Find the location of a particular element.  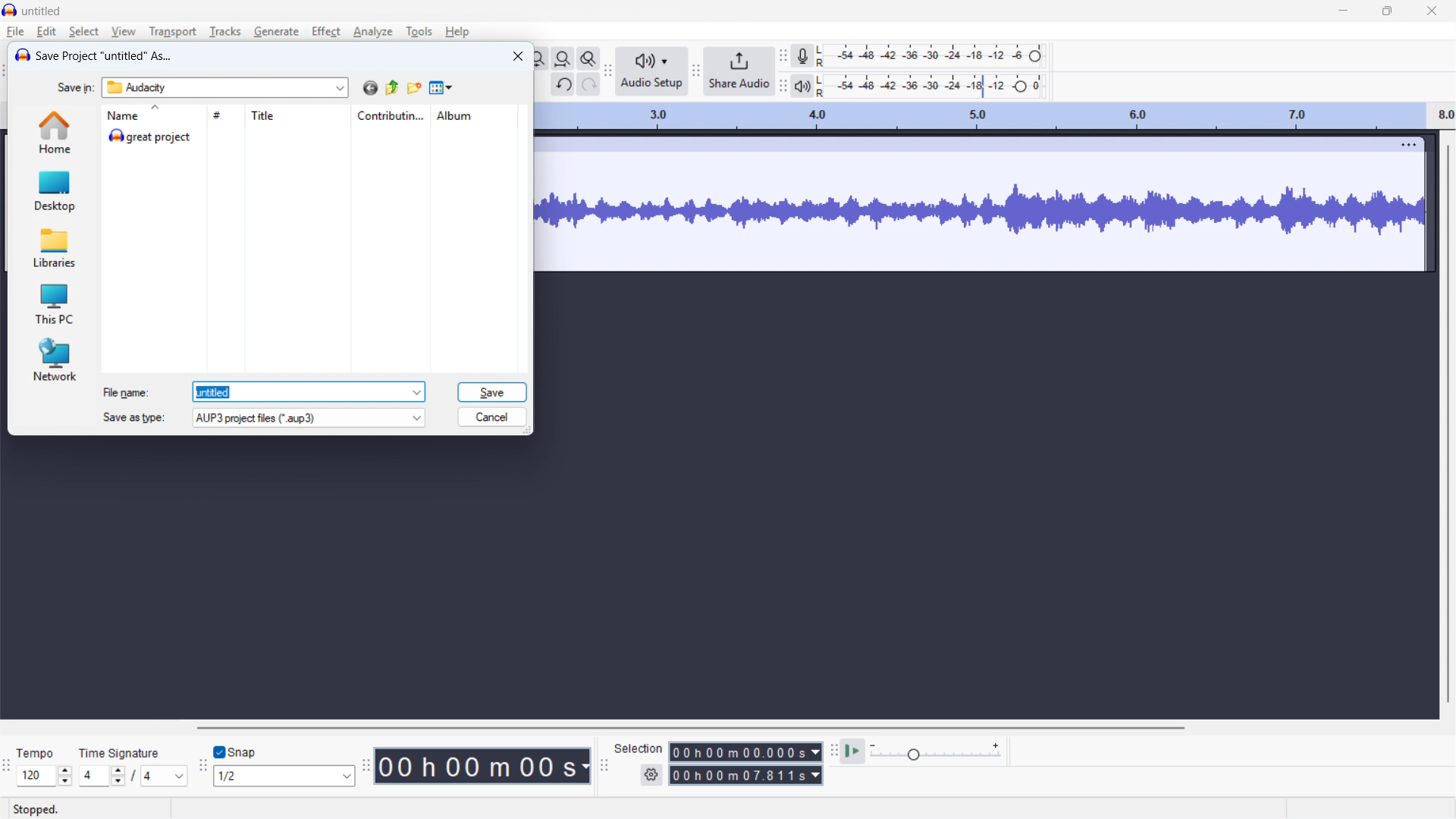

playback level is located at coordinates (934, 86).